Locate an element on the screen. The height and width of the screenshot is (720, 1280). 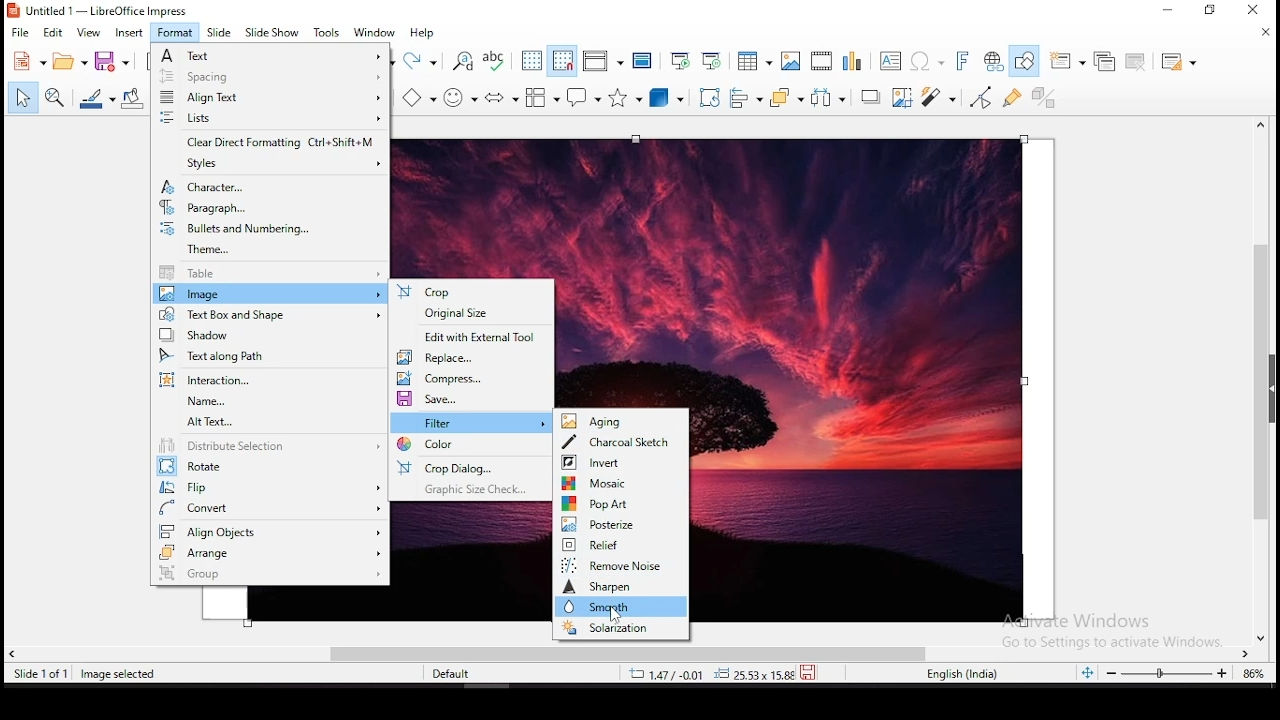
filter is located at coordinates (937, 97).